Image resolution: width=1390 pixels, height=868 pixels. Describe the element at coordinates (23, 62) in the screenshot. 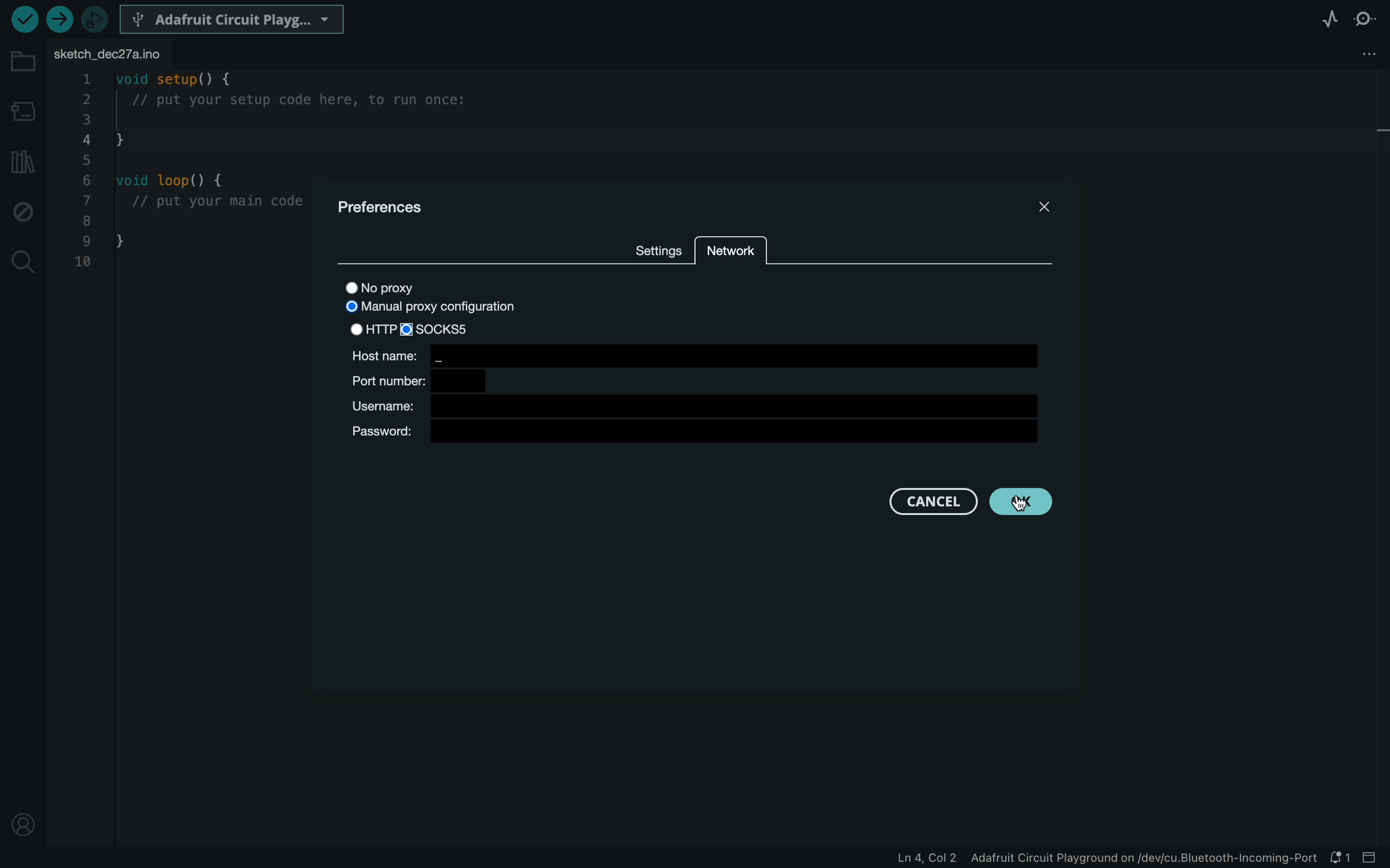

I see `folder` at that location.